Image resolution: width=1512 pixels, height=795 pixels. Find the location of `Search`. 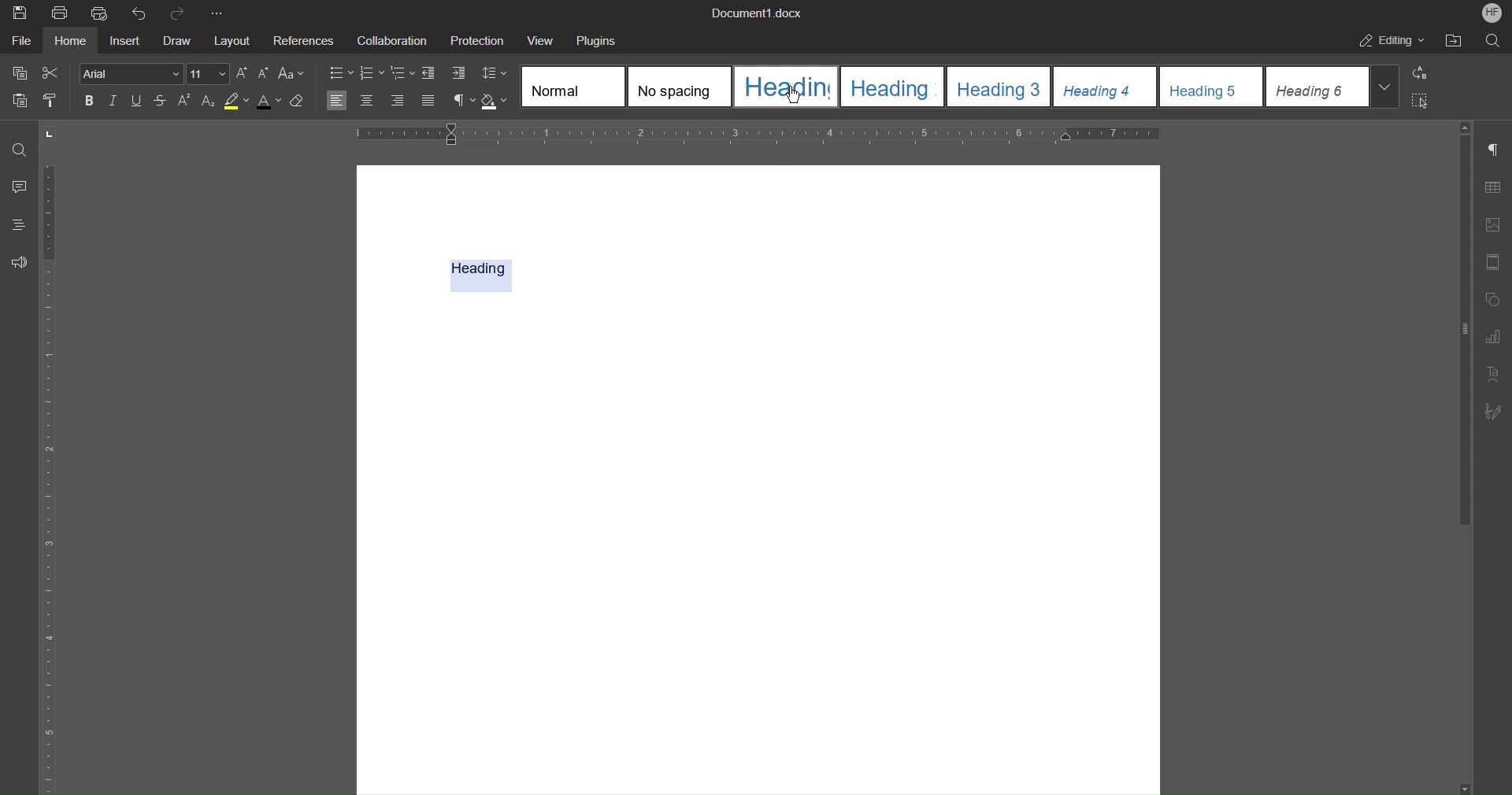

Search is located at coordinates (1494, 38).